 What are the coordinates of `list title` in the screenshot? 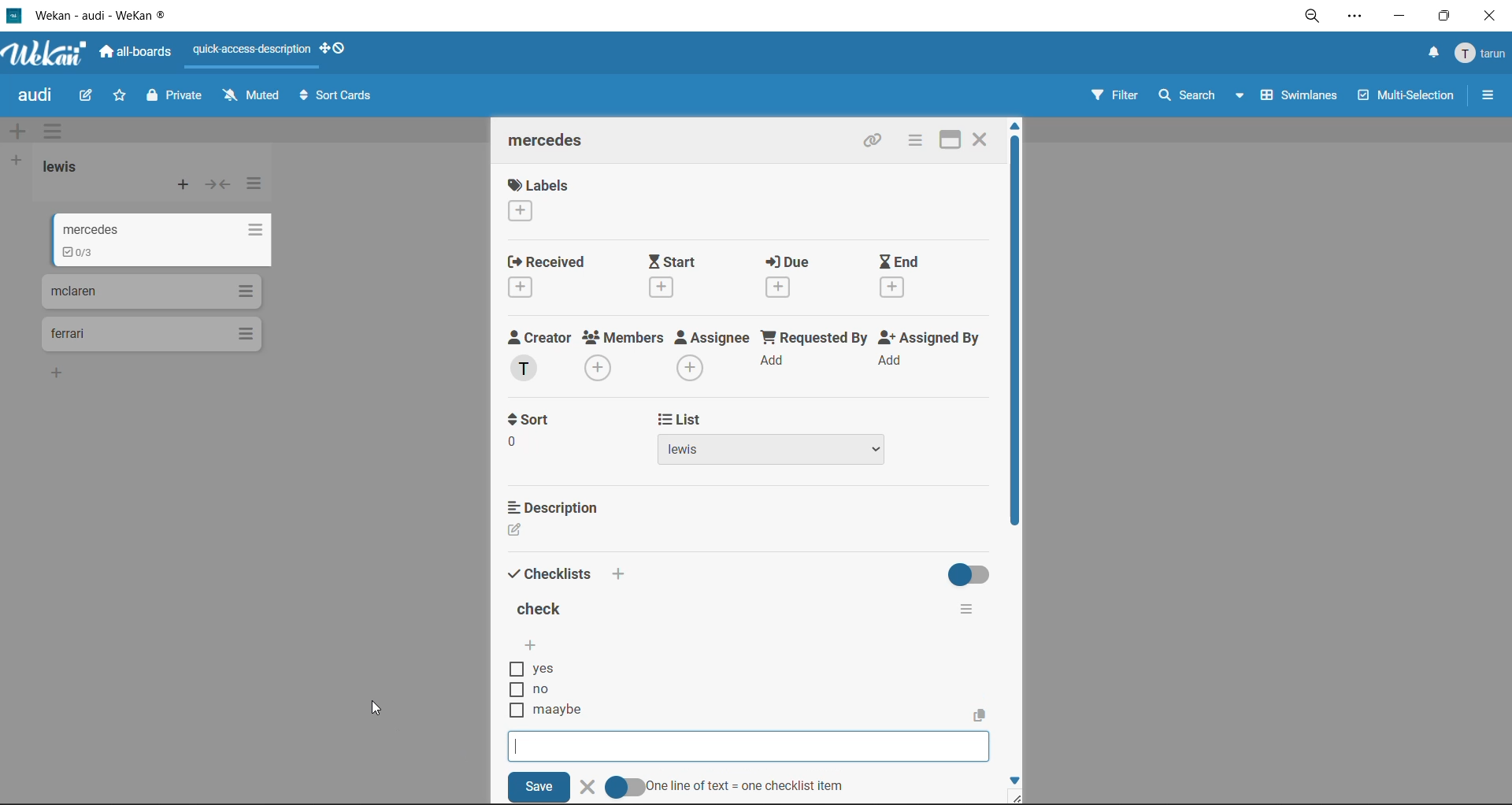 It's located at (65, 169).